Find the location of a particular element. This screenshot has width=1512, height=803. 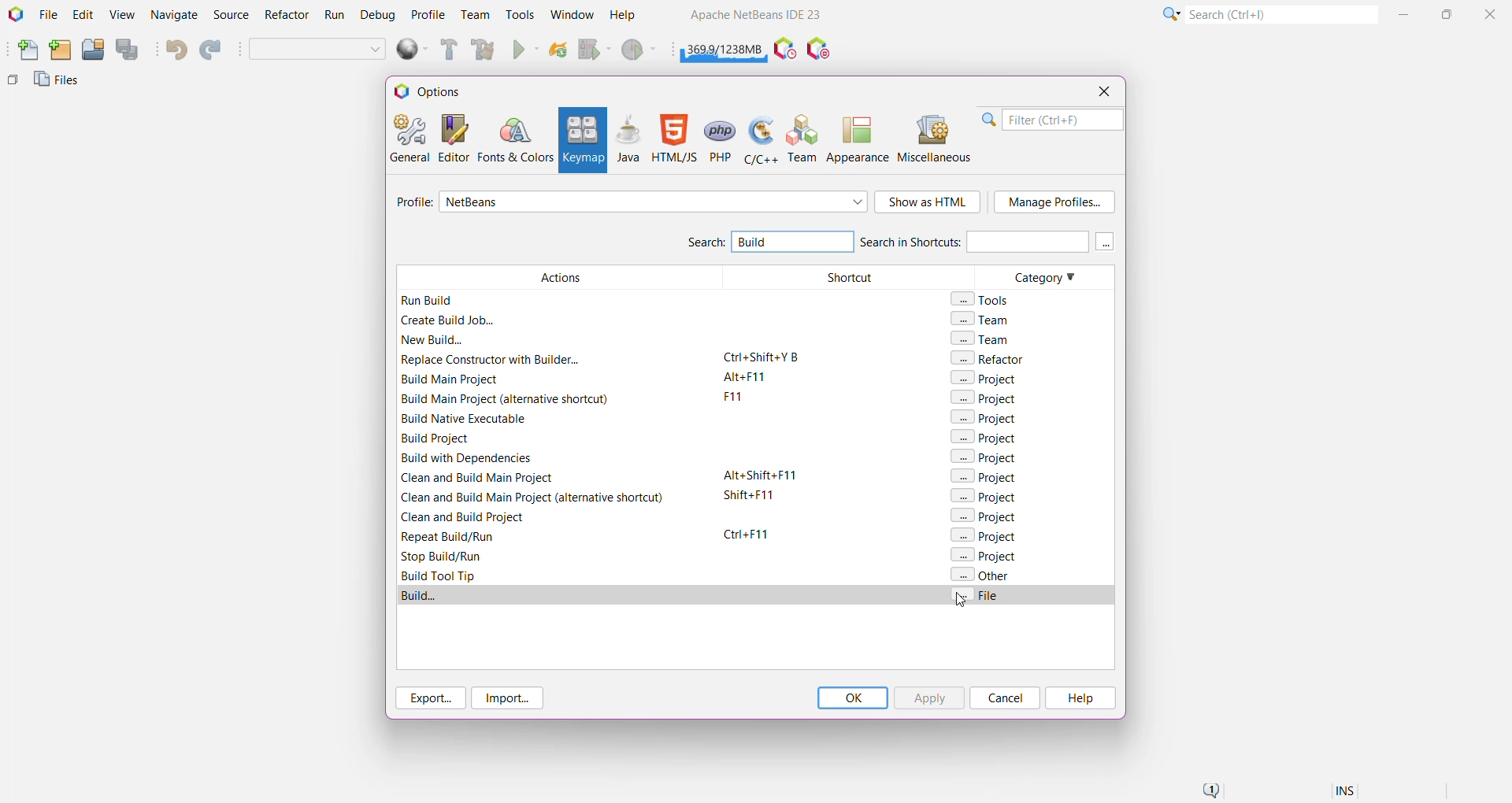

Search is located at coordinates (705, 244).